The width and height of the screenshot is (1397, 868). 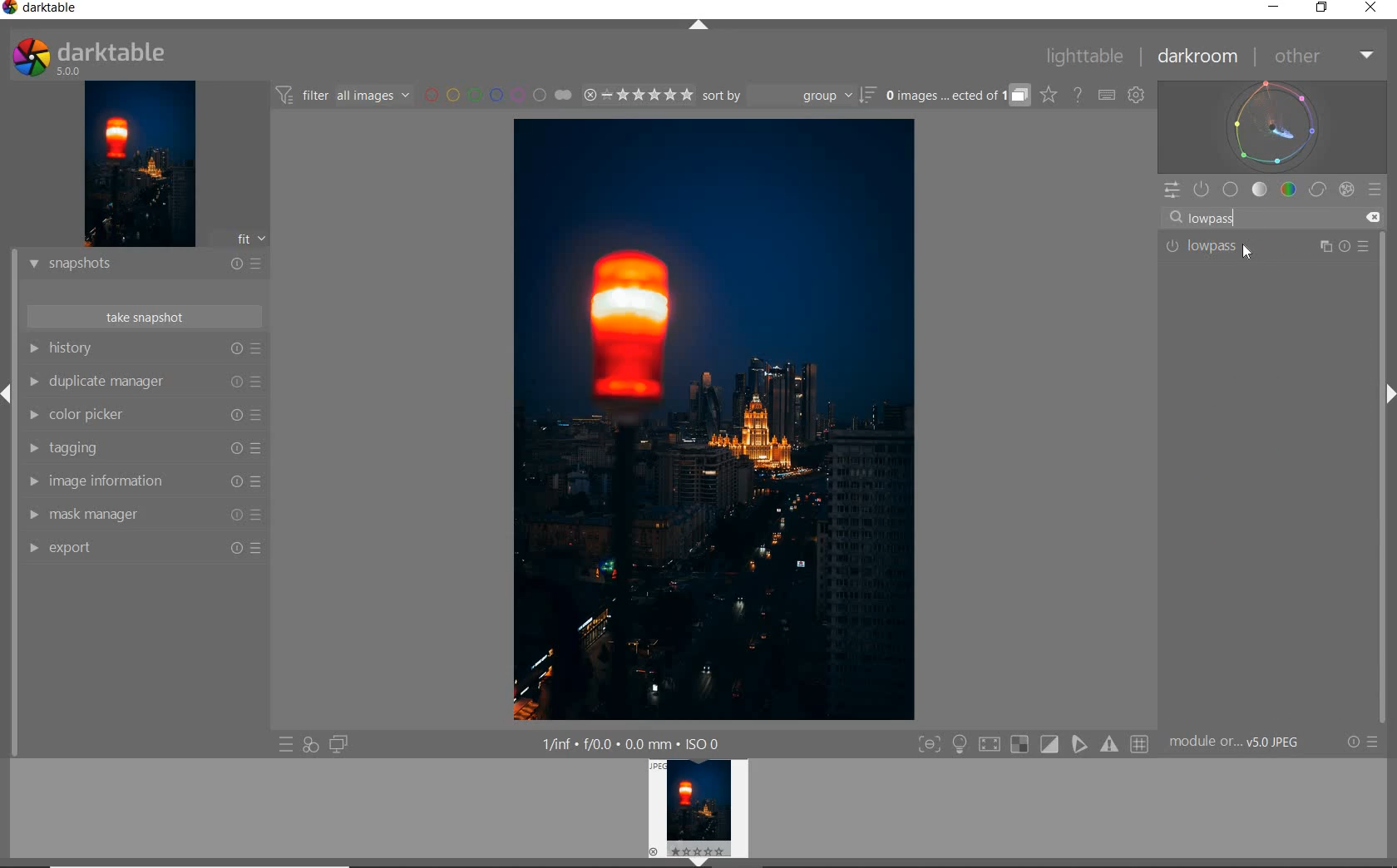 What do you see at coordinates (309, 745) in the screenshot?
I see `QUICK ACCESS FOR APPLYING ANY OF YOUR STYLES` at bounding box center [309, 745].